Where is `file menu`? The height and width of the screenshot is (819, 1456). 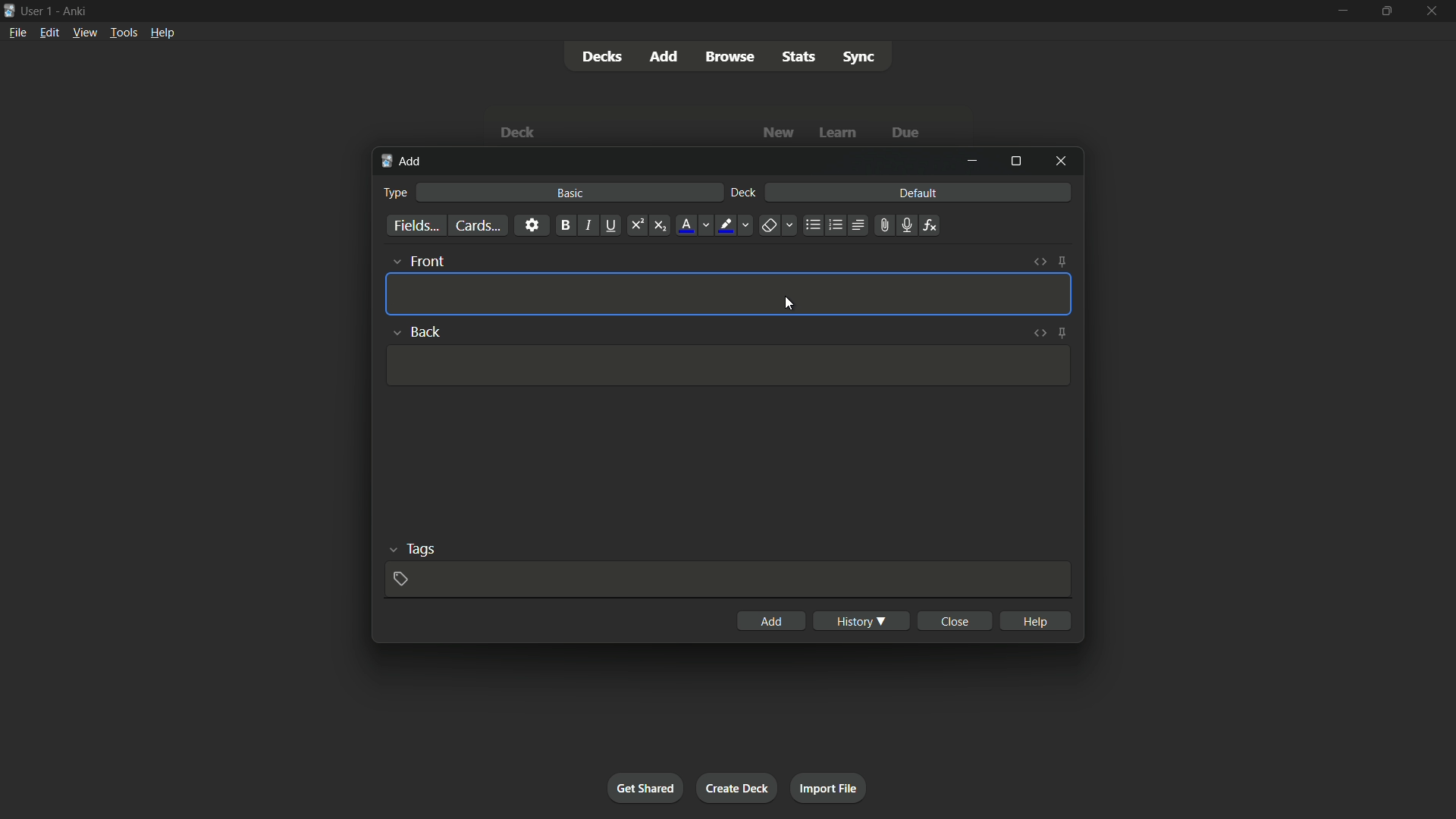
file menu is located at coordinates (19, 32).